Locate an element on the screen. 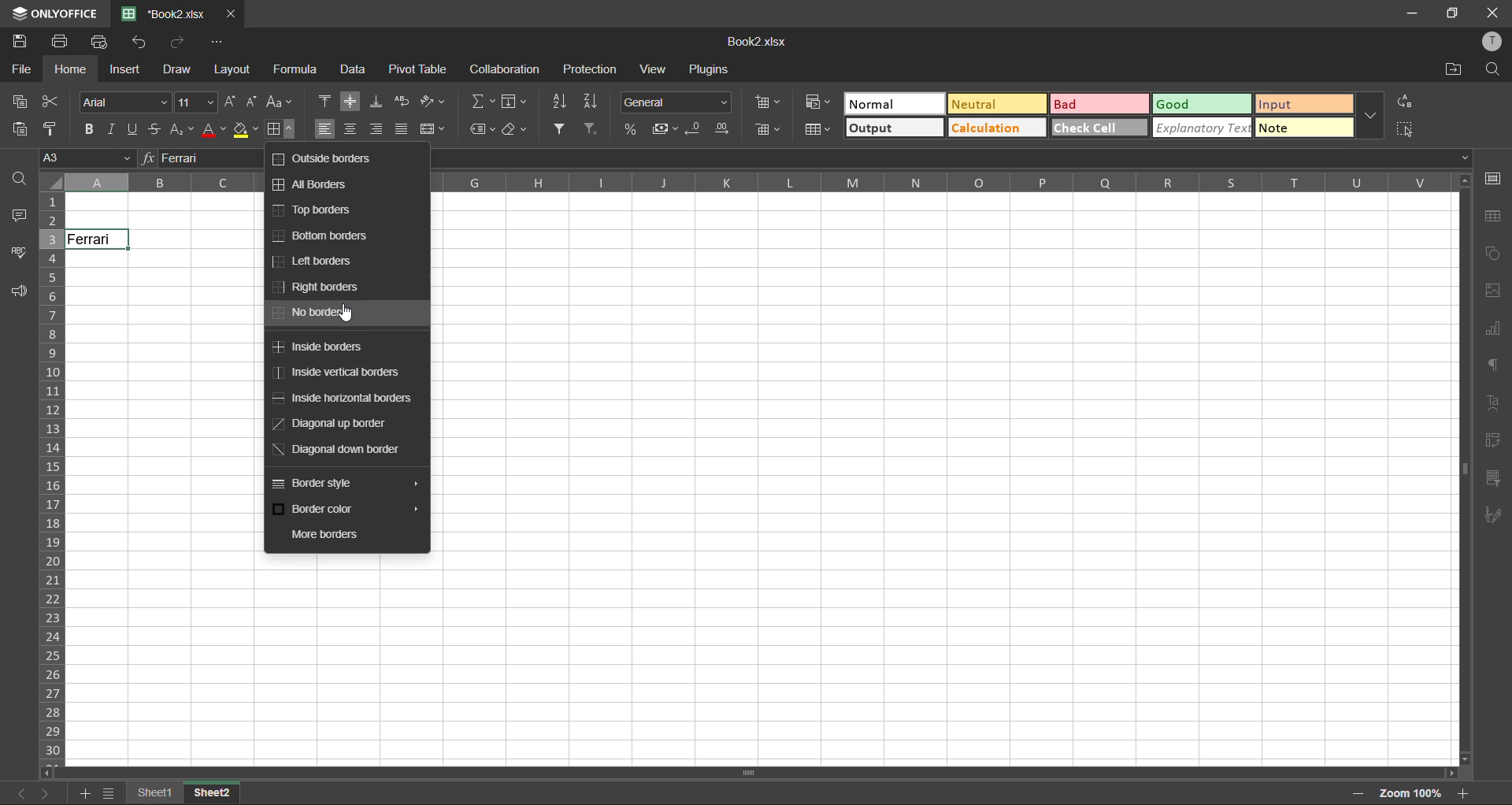 Image resolution: width=1512 pixels, height=805 pixels. select cell is located at coordinates (1407, 127).